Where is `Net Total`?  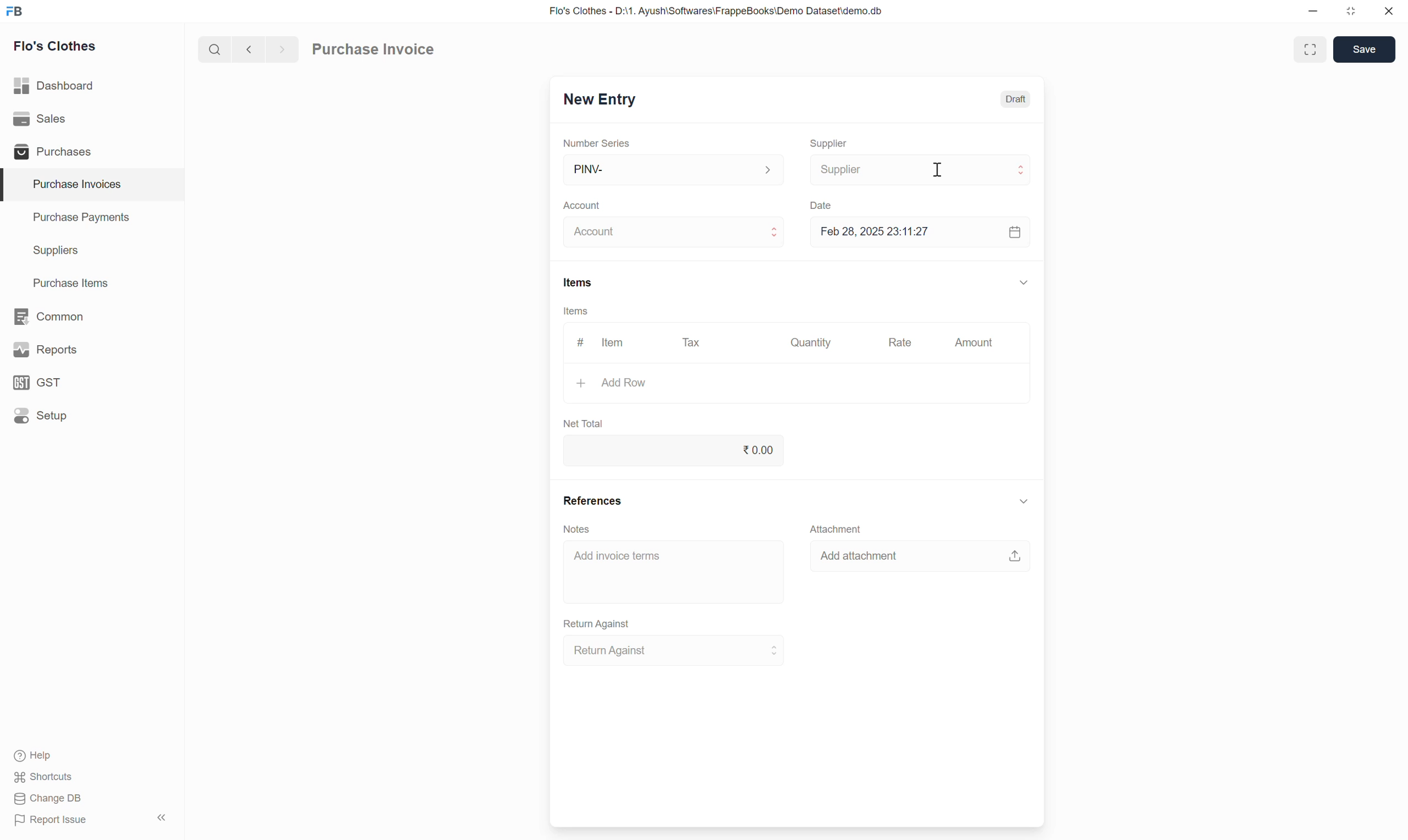 Net Total is located at coordinates (584, 423).